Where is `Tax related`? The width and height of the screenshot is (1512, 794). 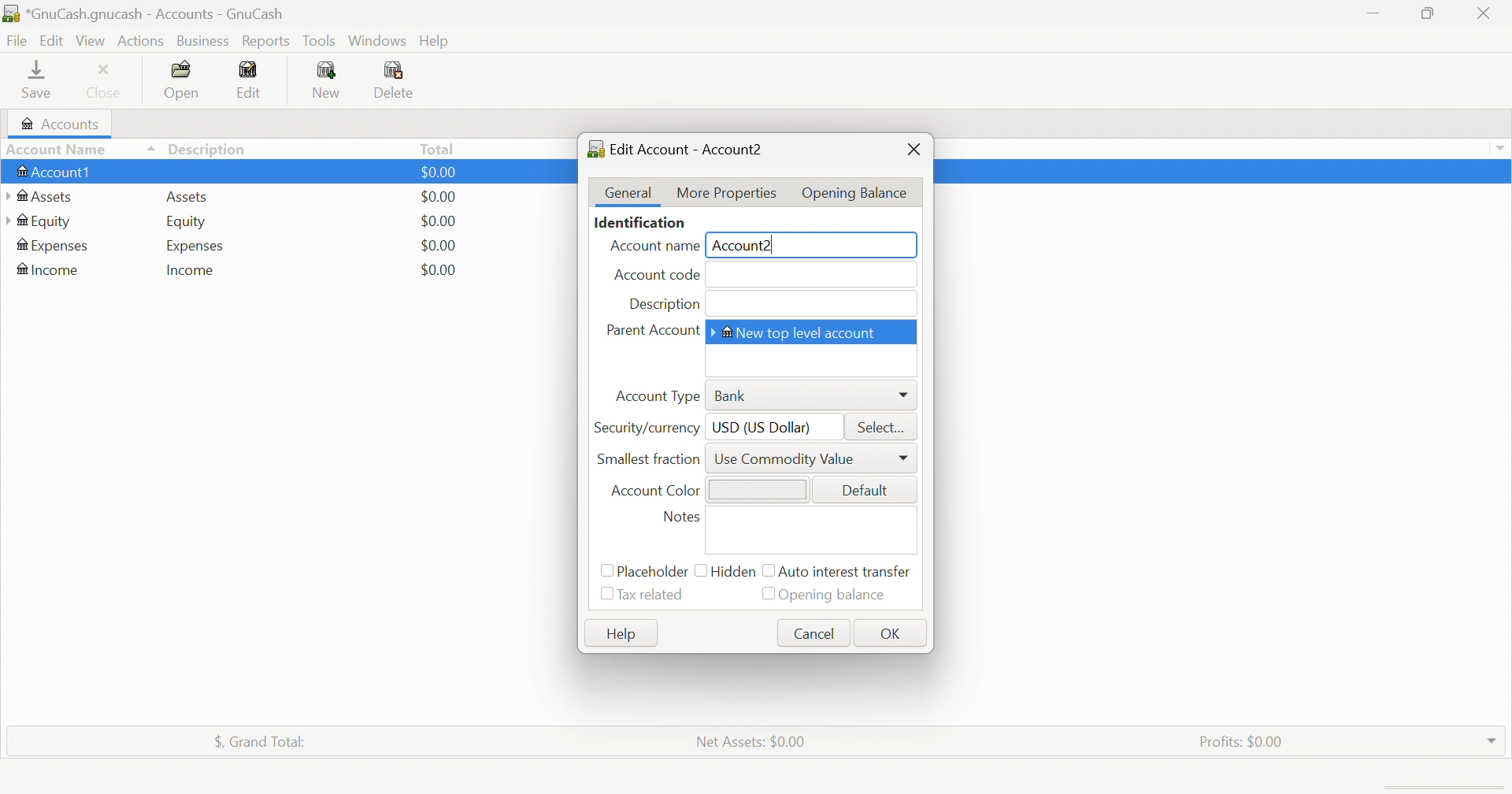
Tax related is located at coordinates (643, 595).